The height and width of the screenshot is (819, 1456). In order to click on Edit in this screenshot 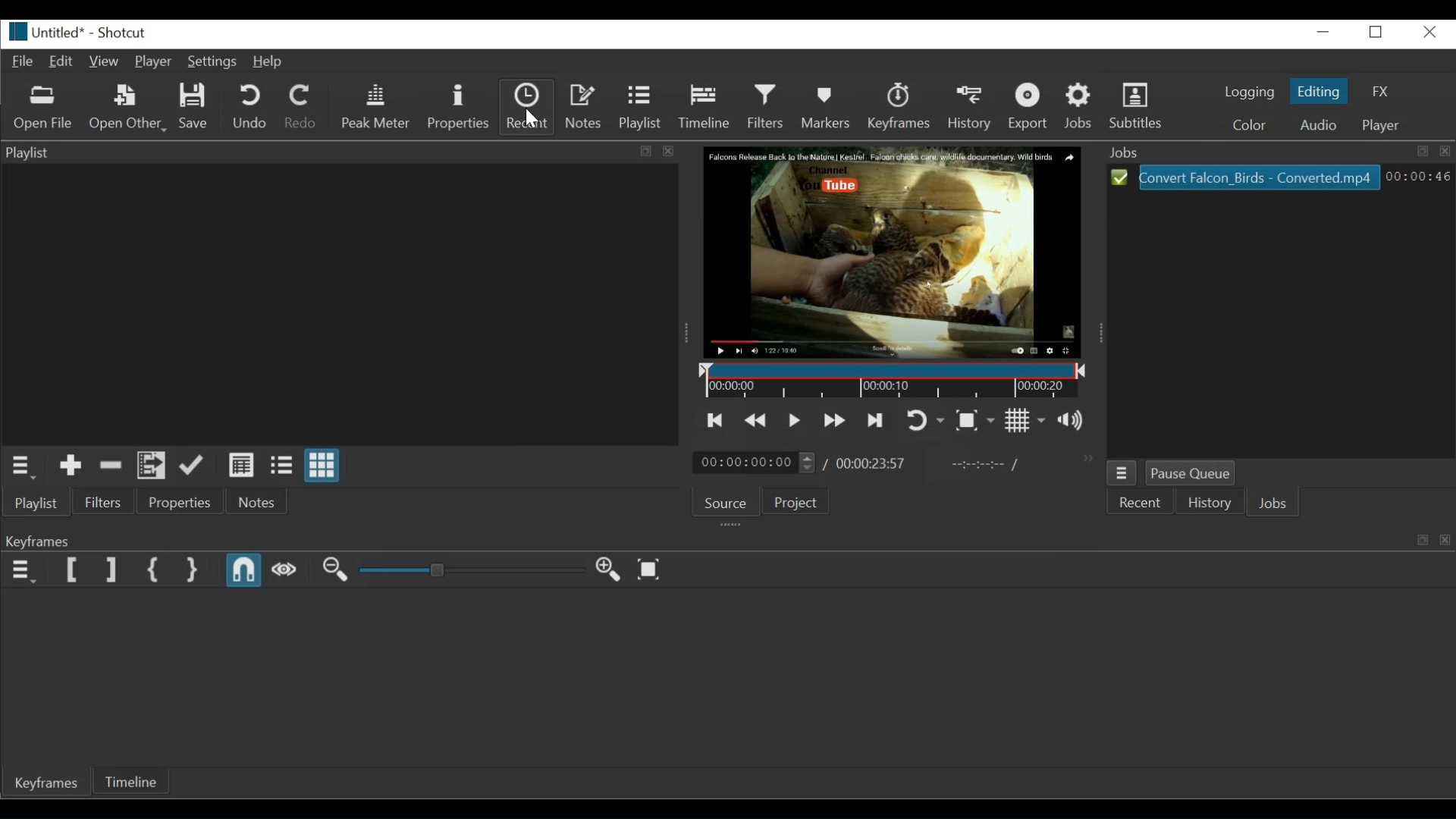, I will do `click(61, 62)`.